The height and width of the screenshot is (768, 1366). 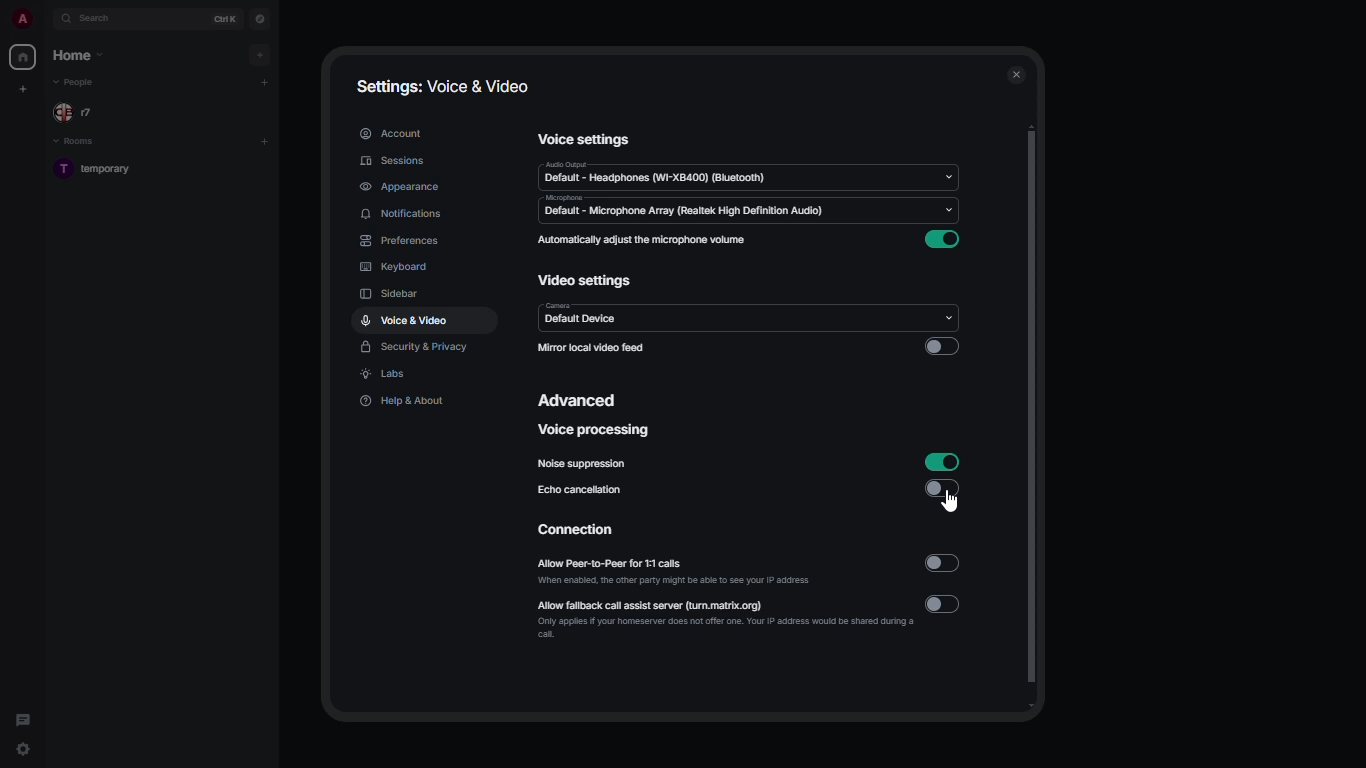 What do you see at coordinates (23, 88) in the screenshot?
I see `create new space` at bounding box center [23, 88].